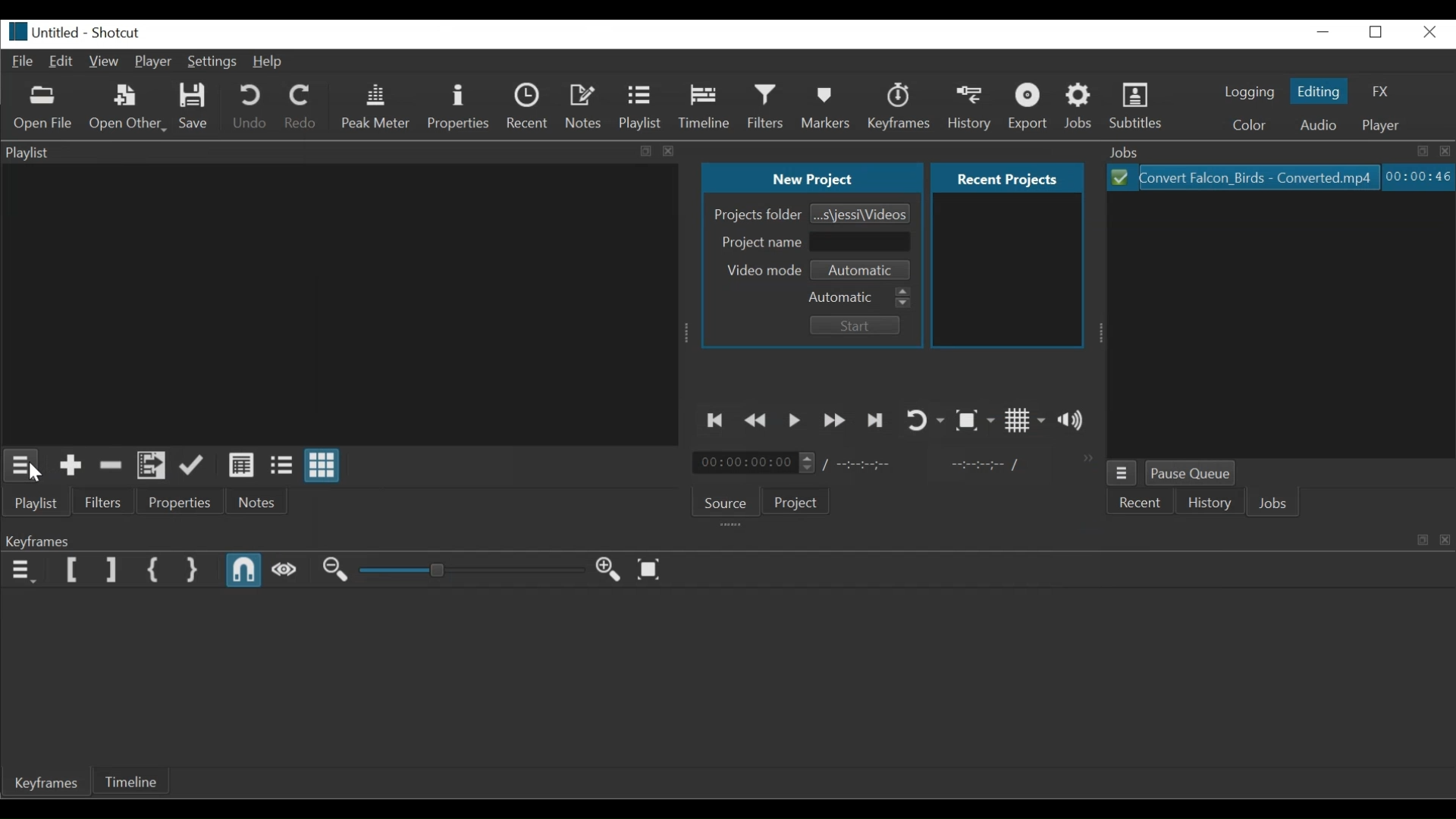 Image resolution: width=1456 pixels, height=819 pixels. What do you see at coordinates (459, 106) in the screenshot?
I see `Properties` at bounding box center [459, 106].